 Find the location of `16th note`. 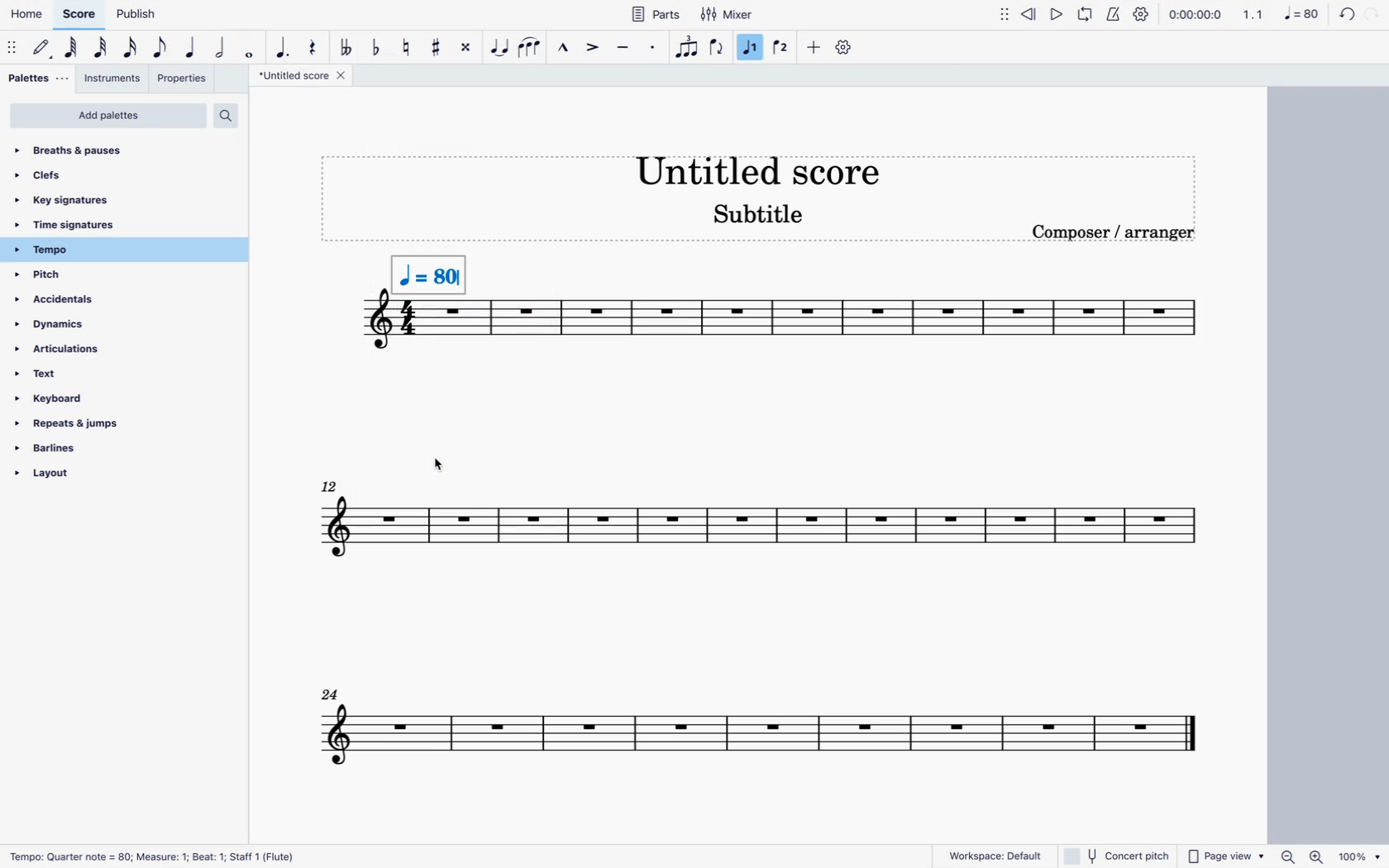

16th note is located at coordinates (129, 48).